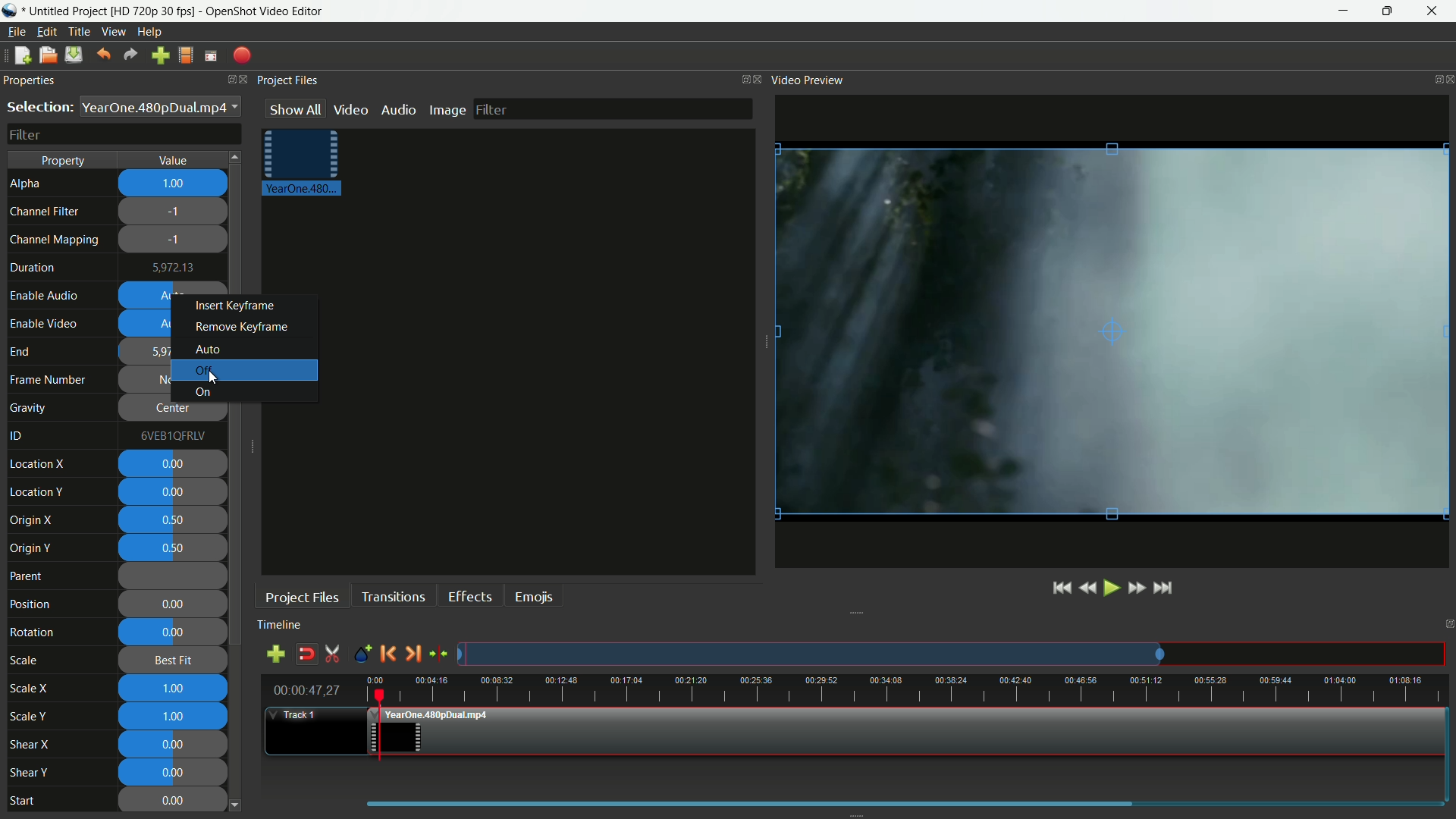 The image size is (1456, 819). What do you see at coordinates (242, 327) in the screenshot?
I see `remove keyframe` at bounding box center [242, 327].